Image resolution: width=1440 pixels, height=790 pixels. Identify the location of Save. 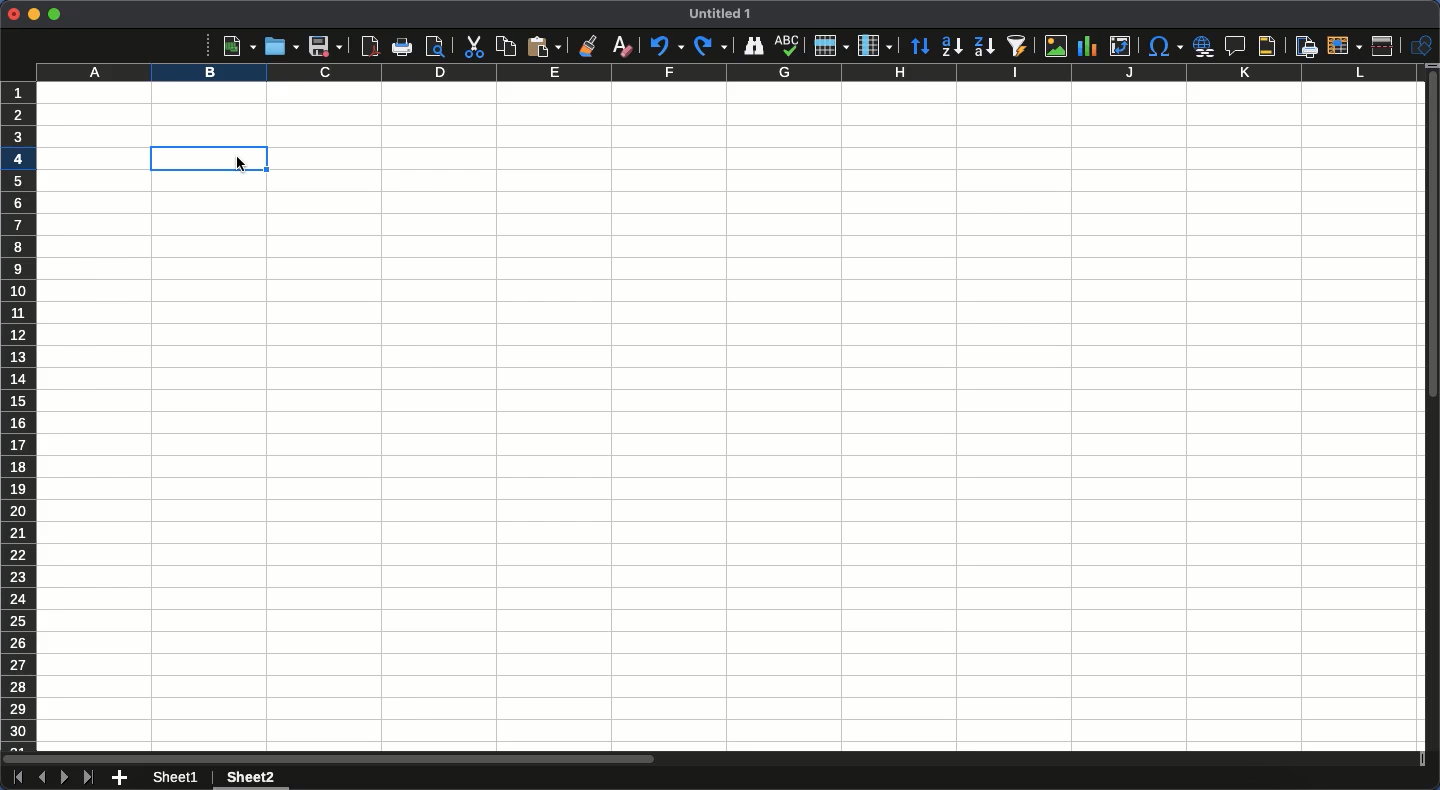
(325, 46).